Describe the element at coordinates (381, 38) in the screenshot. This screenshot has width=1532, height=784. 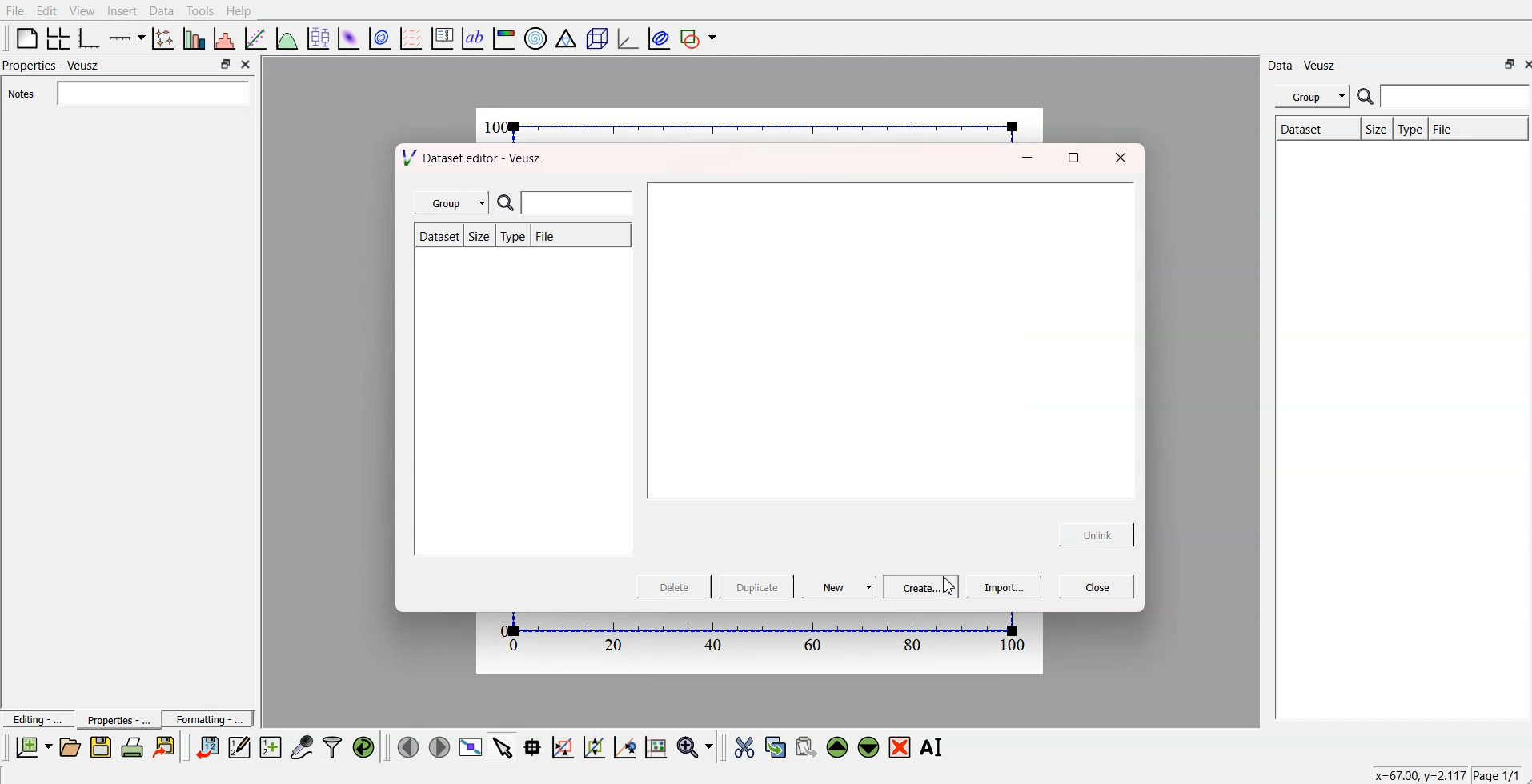
I see `plot a 2D dataset as cont` at that location.